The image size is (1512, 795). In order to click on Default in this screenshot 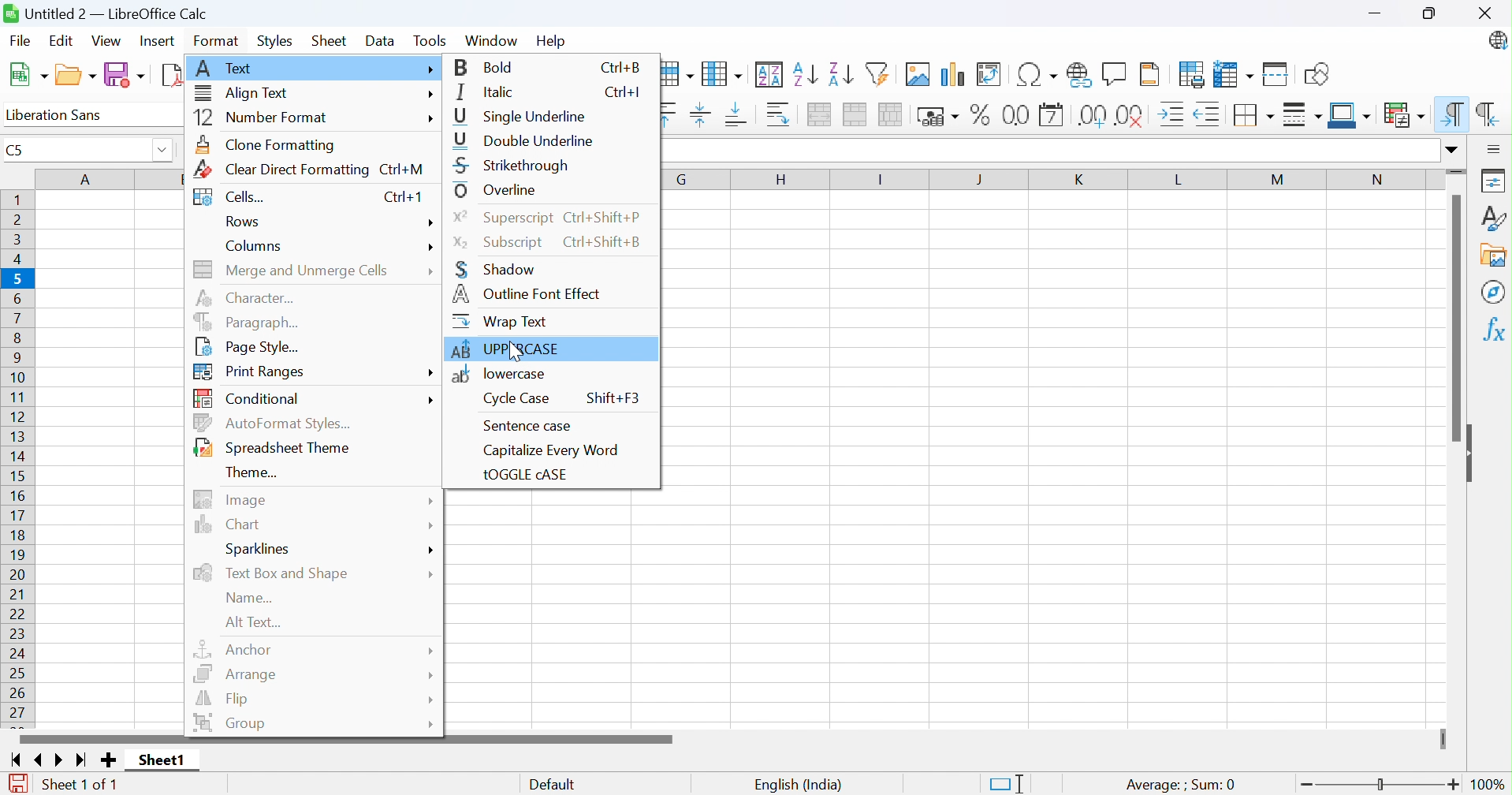, I will do `click(553, 785)`.